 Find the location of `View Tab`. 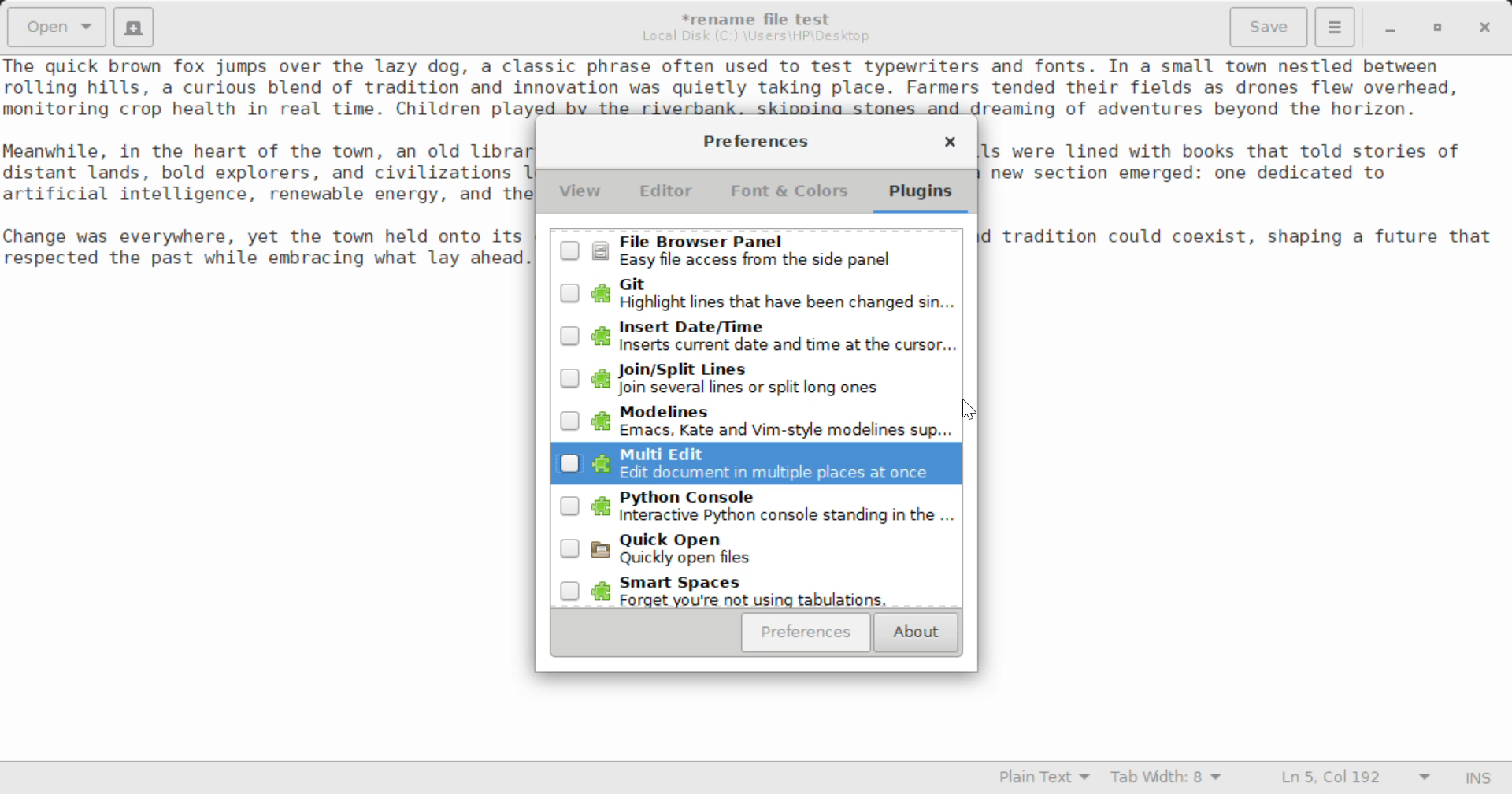

View Tab is located at coordinates (580, 195).